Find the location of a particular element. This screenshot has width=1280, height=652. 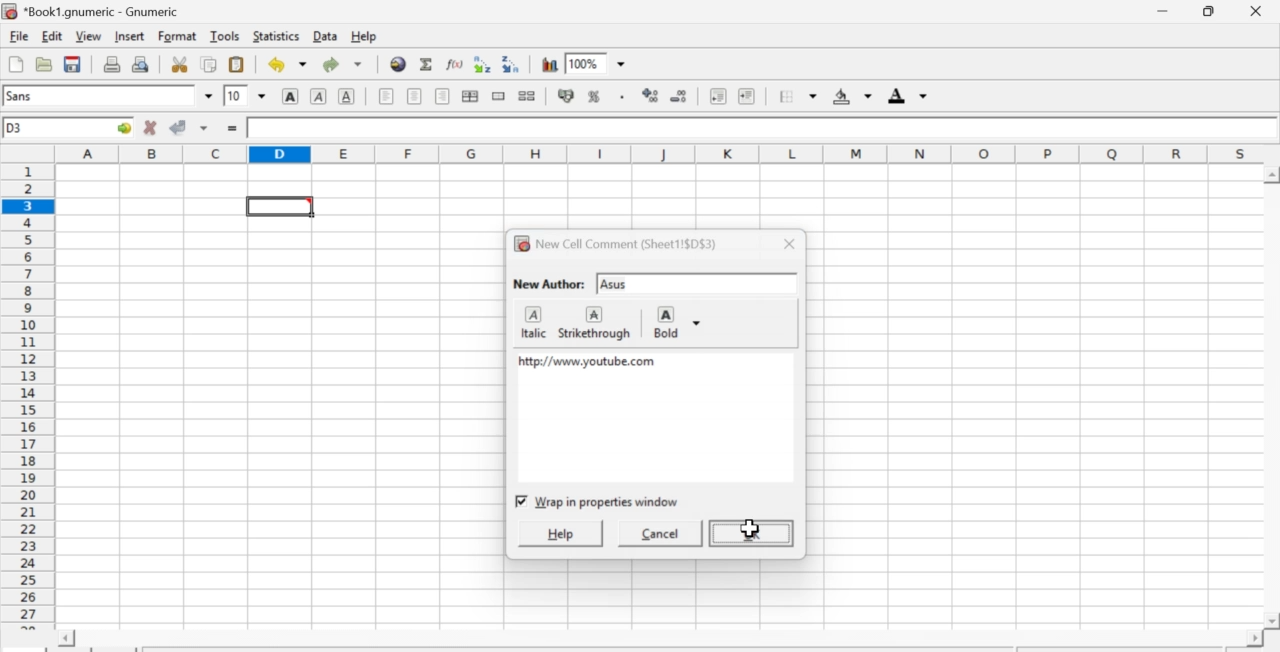

scroll right is located at coordinates (1254, 638).